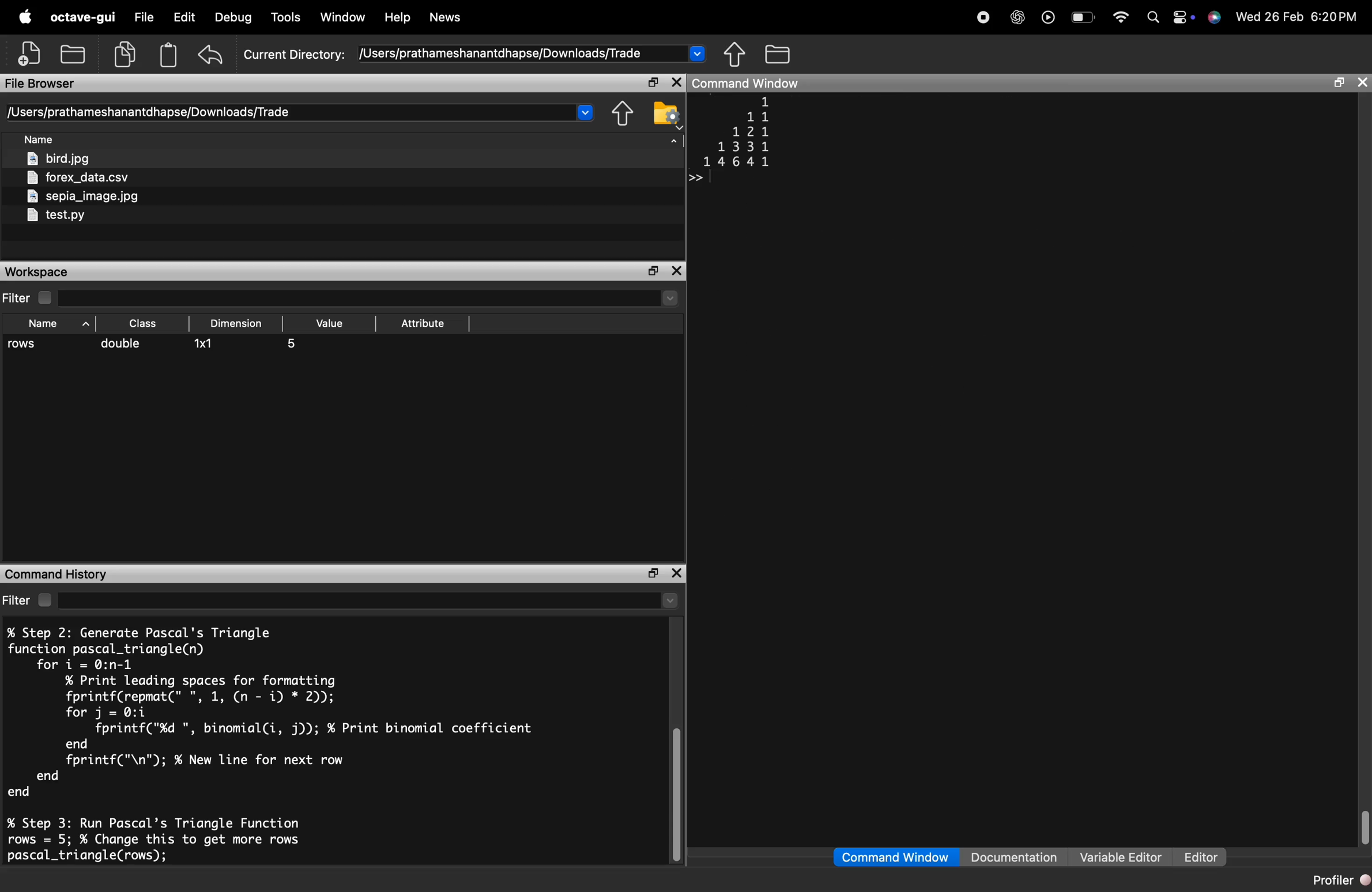  I want to click on File, so click(144, 16).